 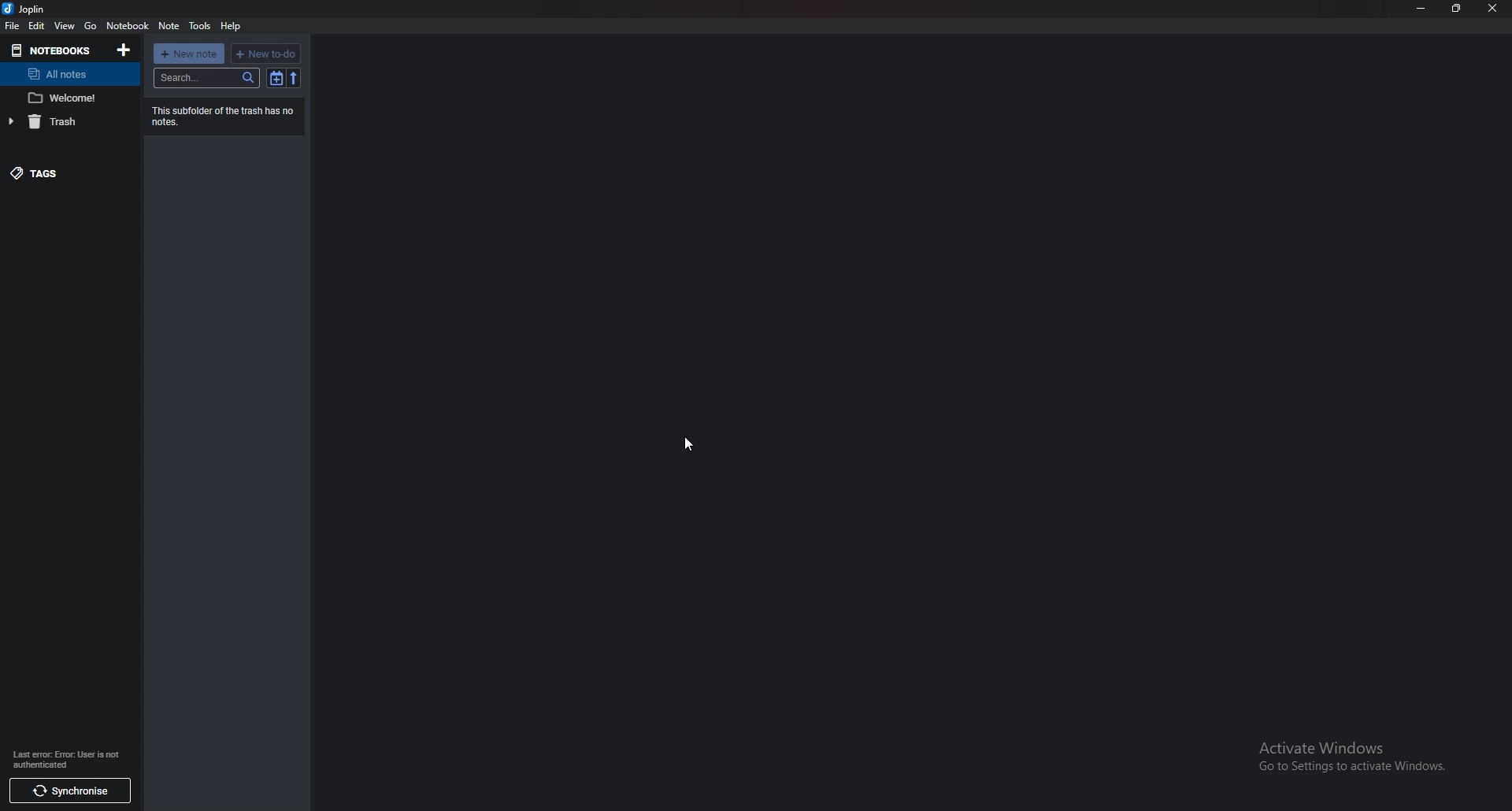 I want to click on Reverse sort order, so click(x=294, y=78).